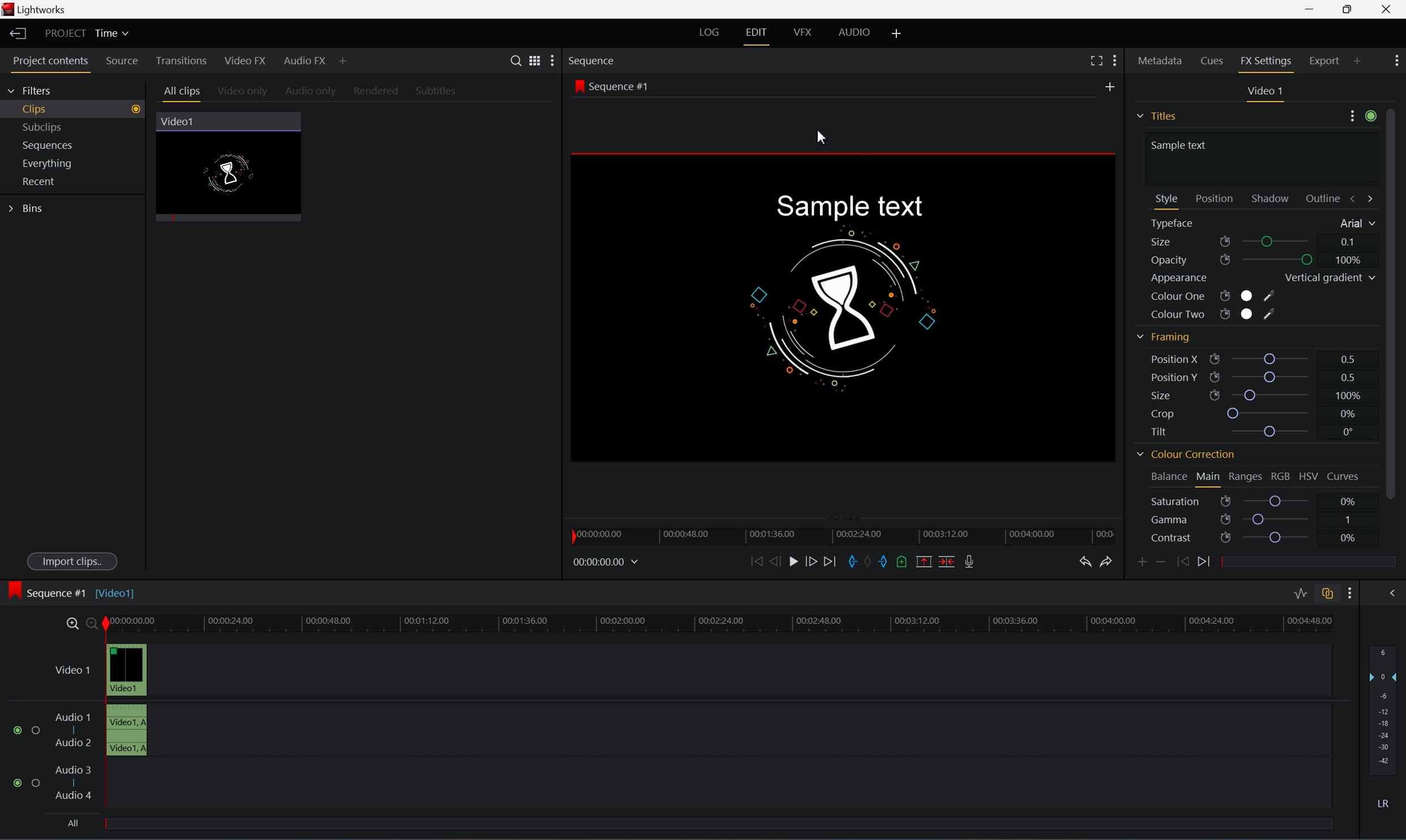 This screenshot has height=840, width=1406. I want to click on move forward, so click(835, 561).